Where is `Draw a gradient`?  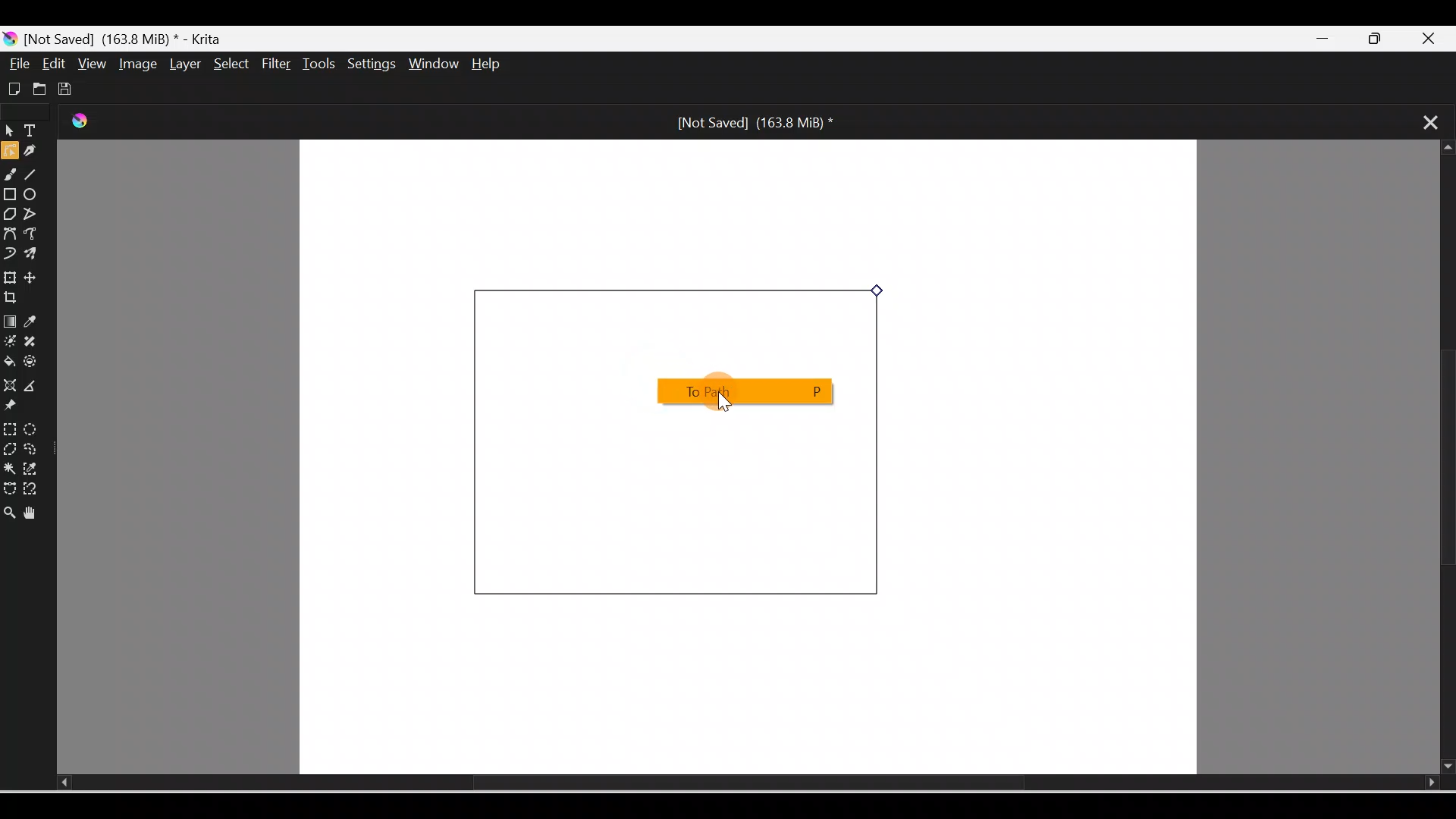
Draw a gradient is located at coordinates (9, 322).